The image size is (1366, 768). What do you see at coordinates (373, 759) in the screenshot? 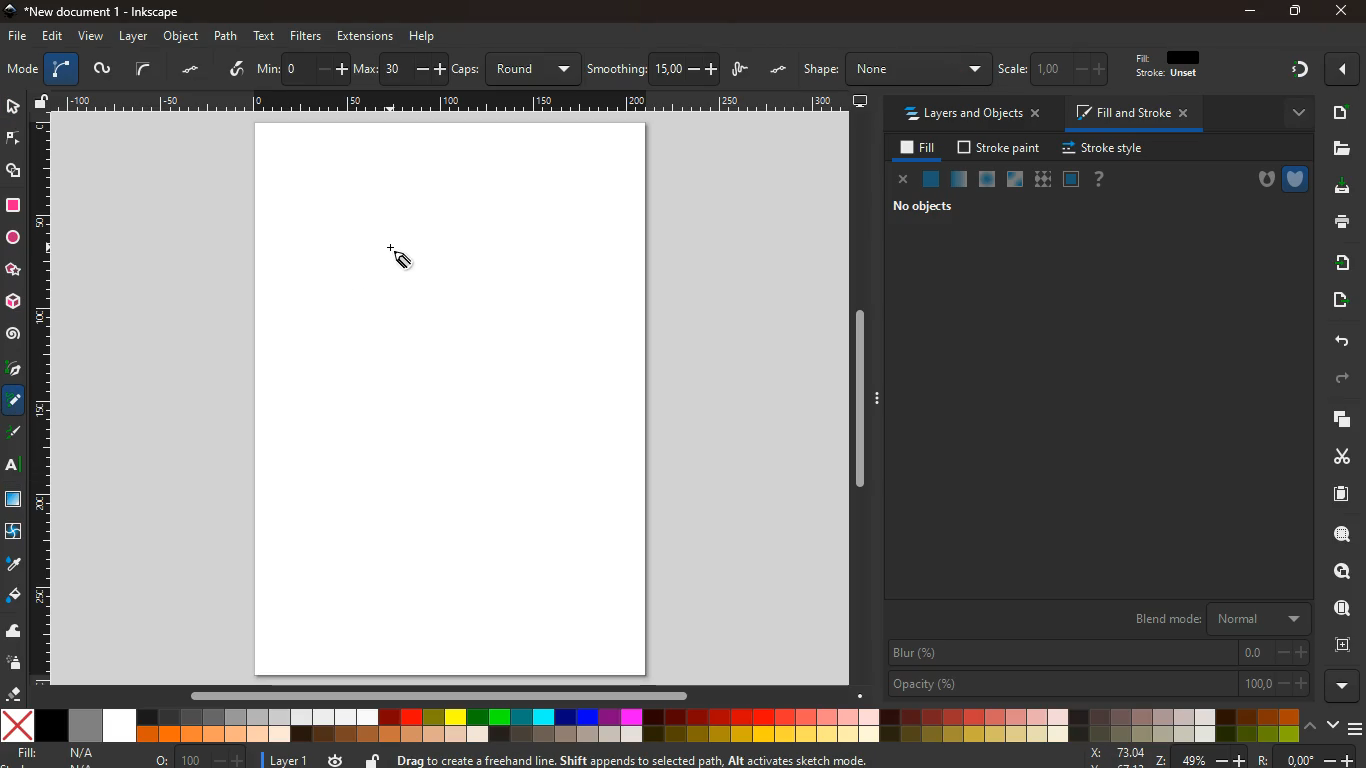
I see `unlock` at bounding box center [373, 759].